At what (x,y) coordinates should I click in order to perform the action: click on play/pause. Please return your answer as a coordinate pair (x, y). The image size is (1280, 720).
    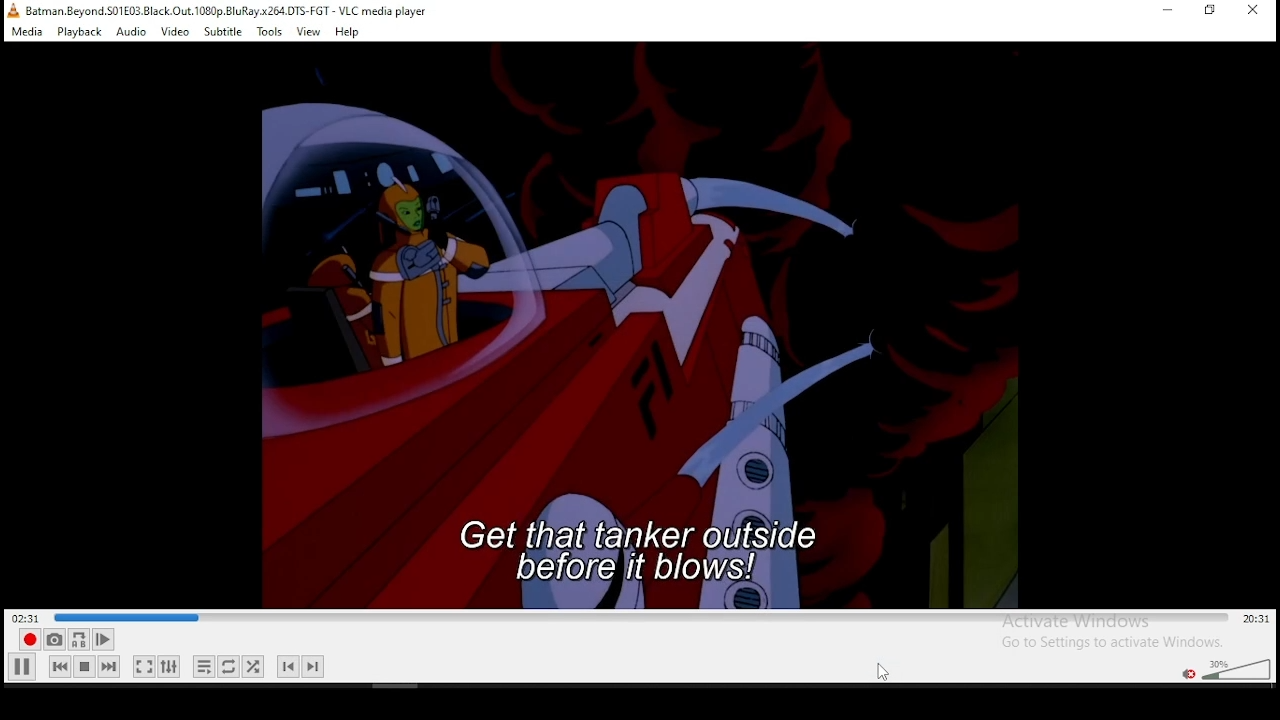
    Looking at the image, I should click on (21, 667).